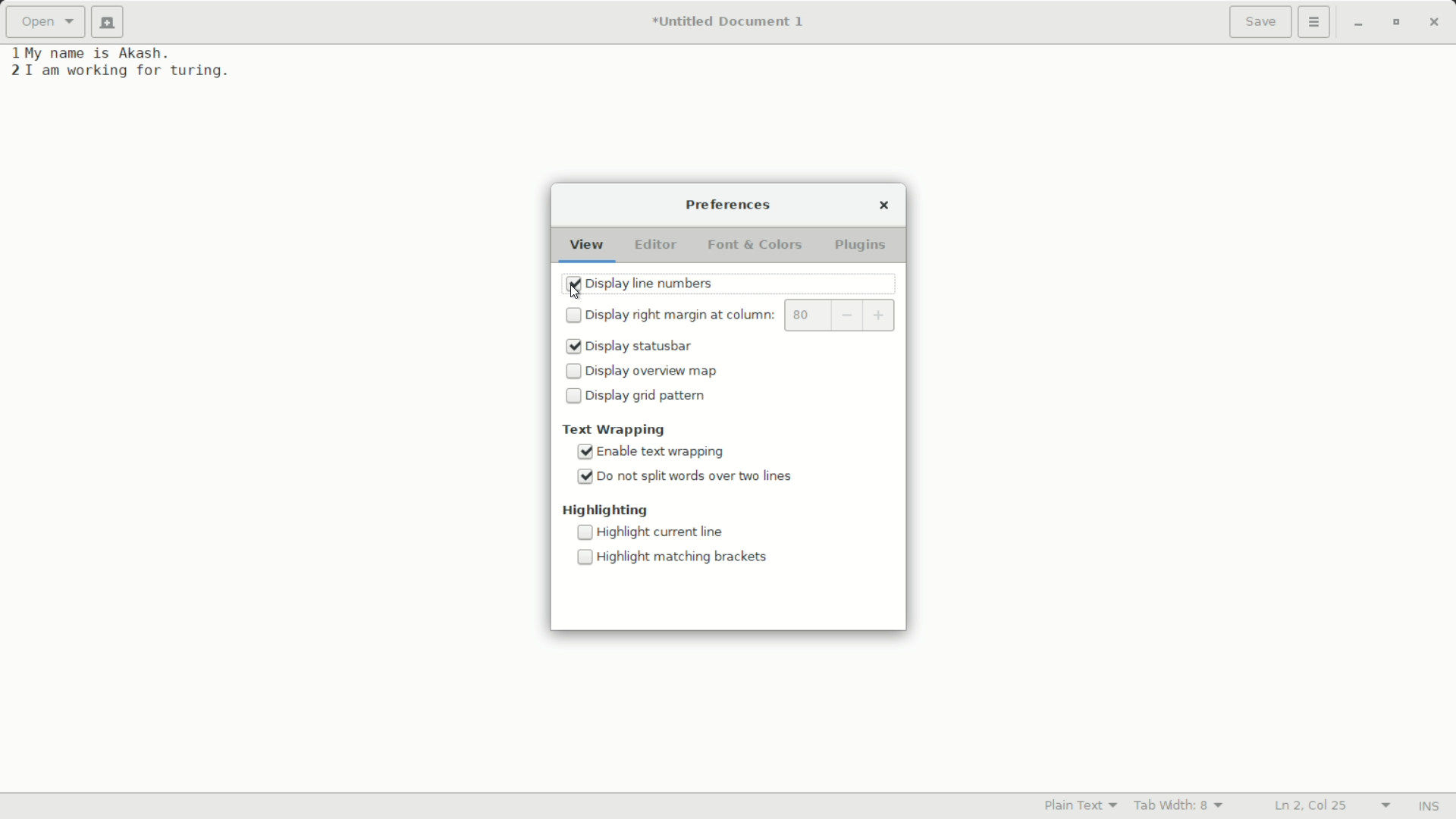 The height and width of the screenshot is (819, 1456). Describe the element at coordinates (108, 22) in the screenshot. I see `new document` at that location.